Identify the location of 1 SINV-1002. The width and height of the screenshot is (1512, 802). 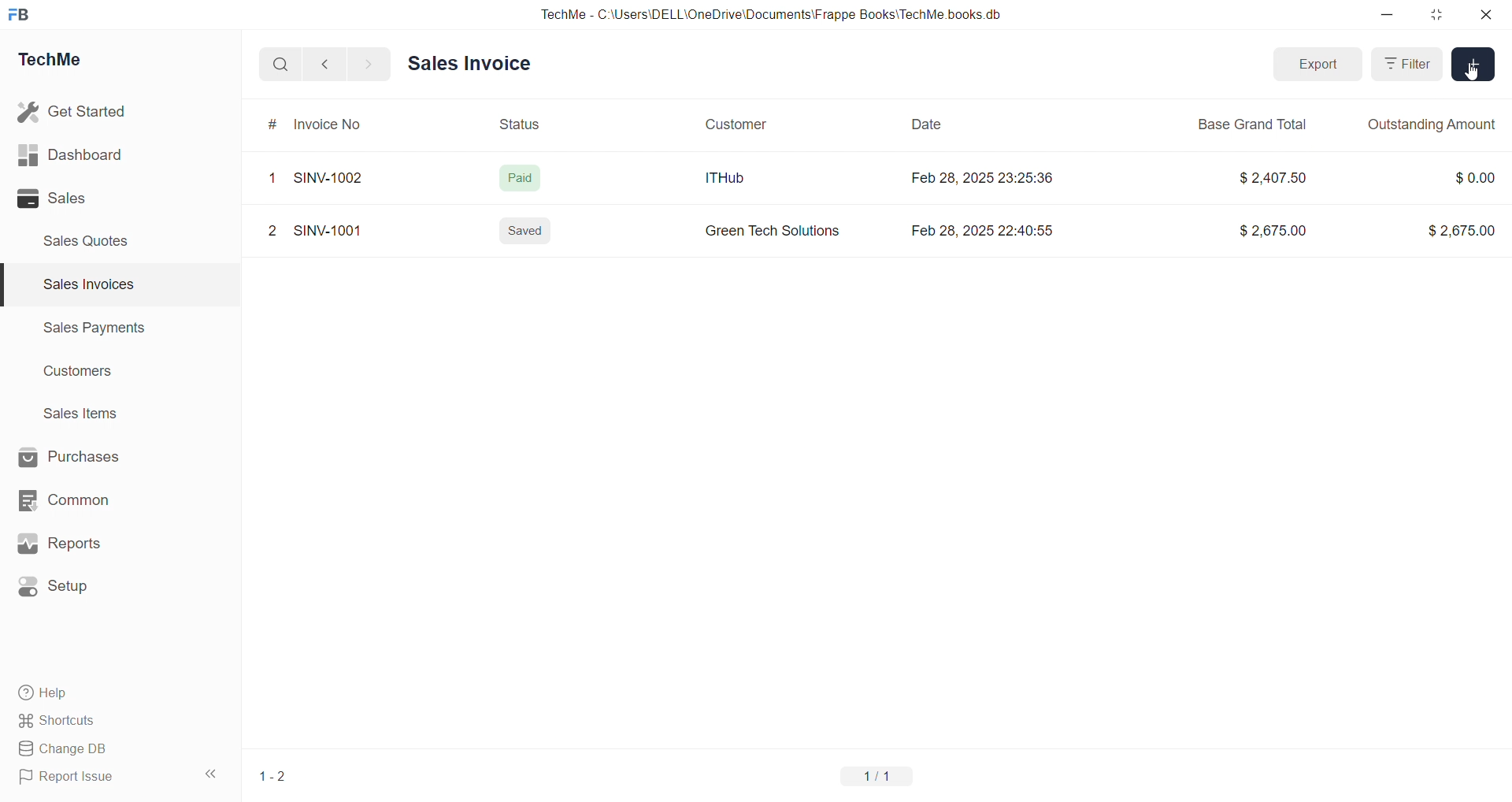
(323, 176).